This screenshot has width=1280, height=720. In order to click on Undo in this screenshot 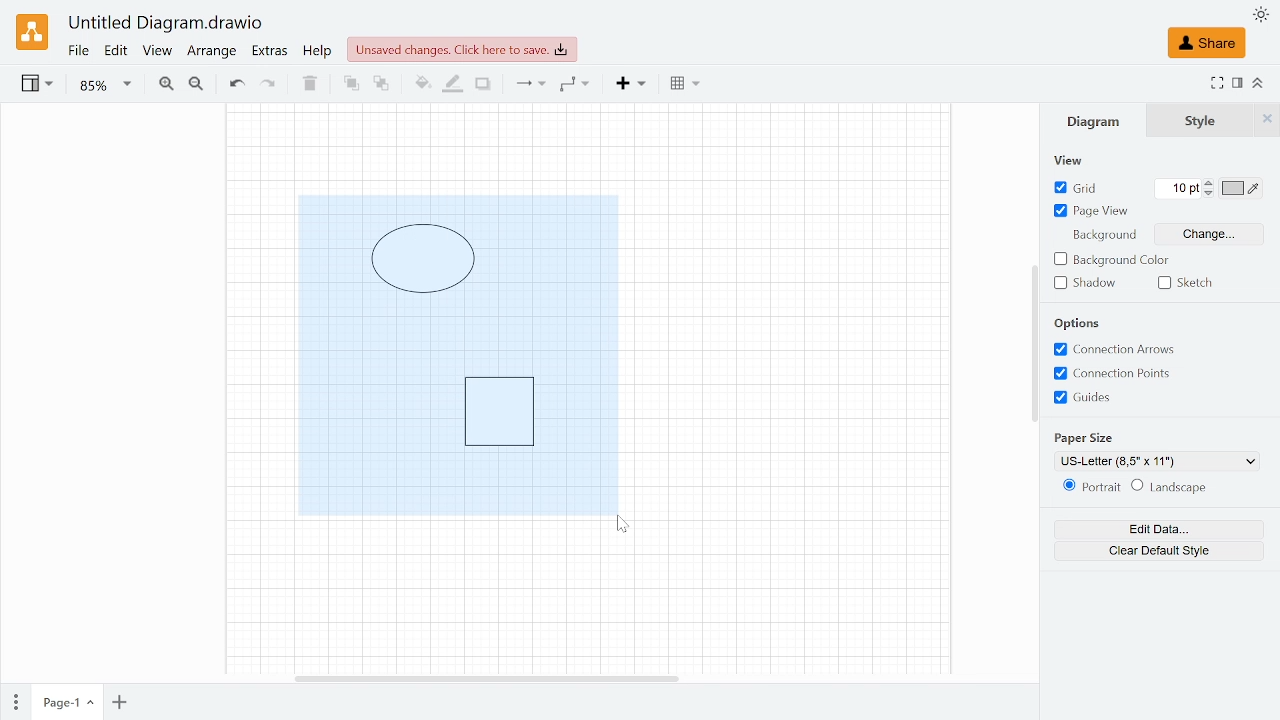, I will do `click(236, 85)`.